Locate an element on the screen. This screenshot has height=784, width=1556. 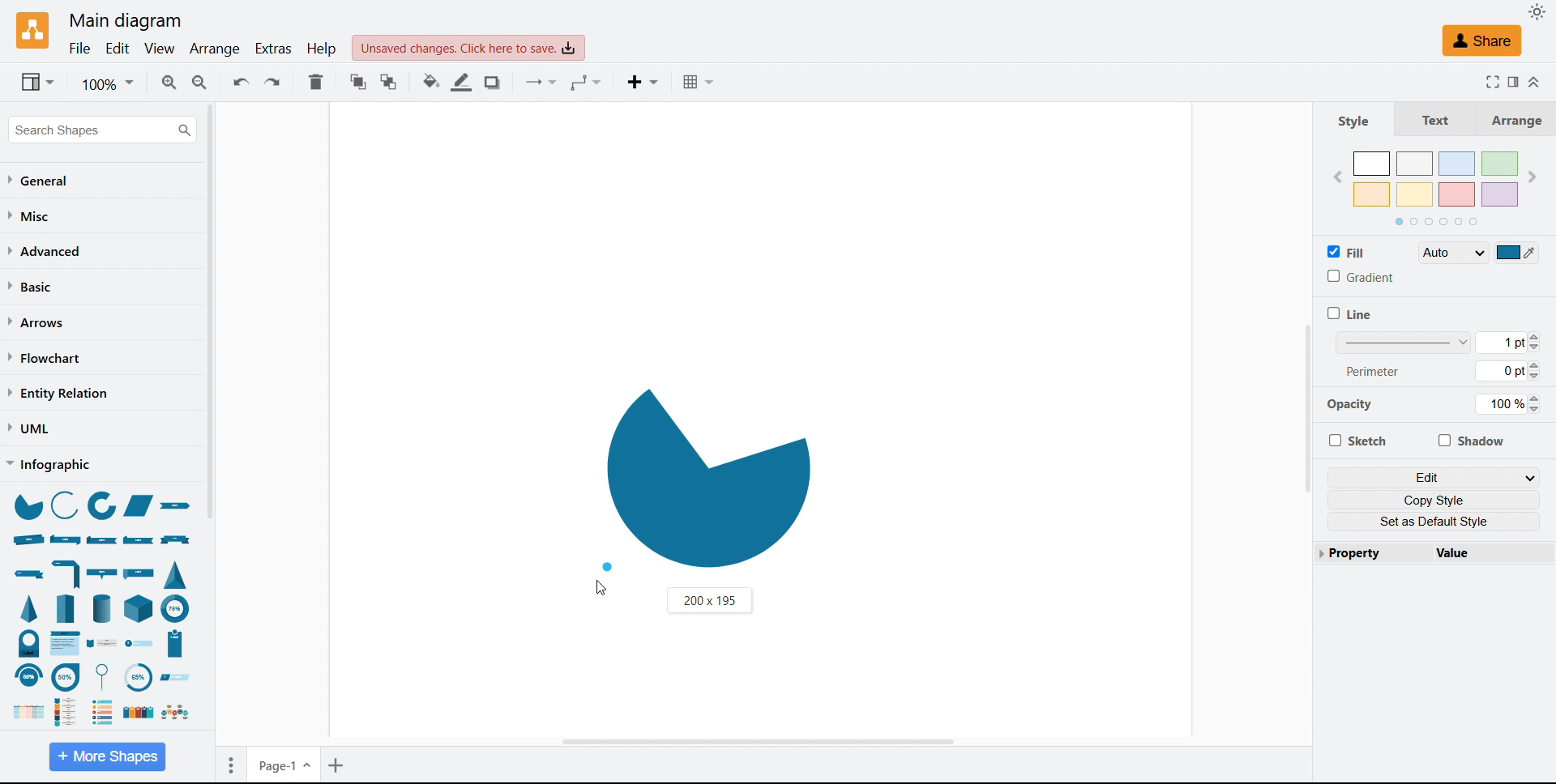
Fill colour  is located at coordinates (432, 82).